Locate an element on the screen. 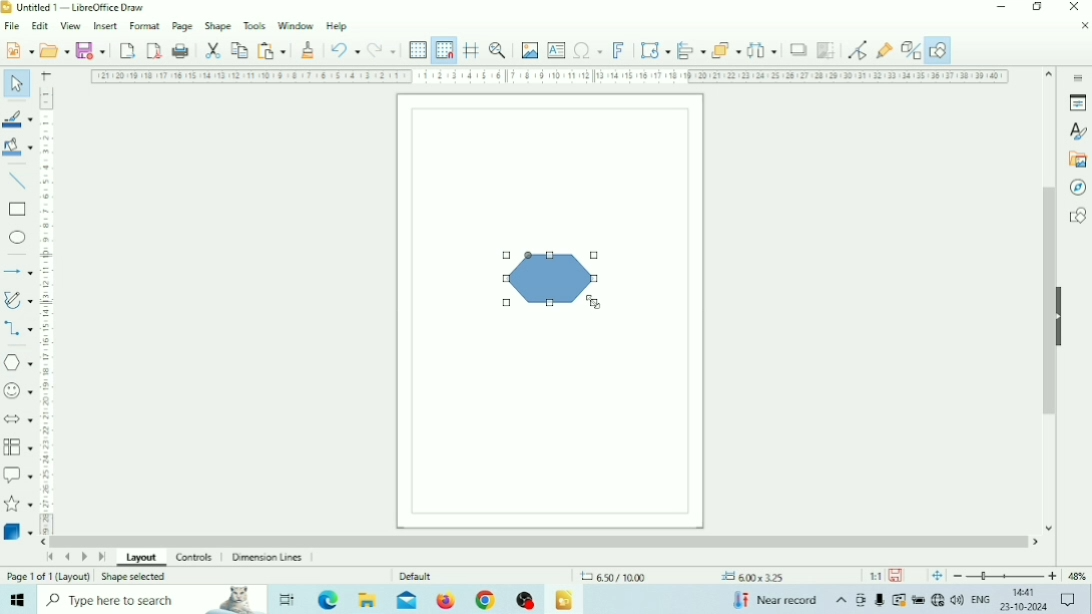  Speakers is located at coordinates (956, 600).